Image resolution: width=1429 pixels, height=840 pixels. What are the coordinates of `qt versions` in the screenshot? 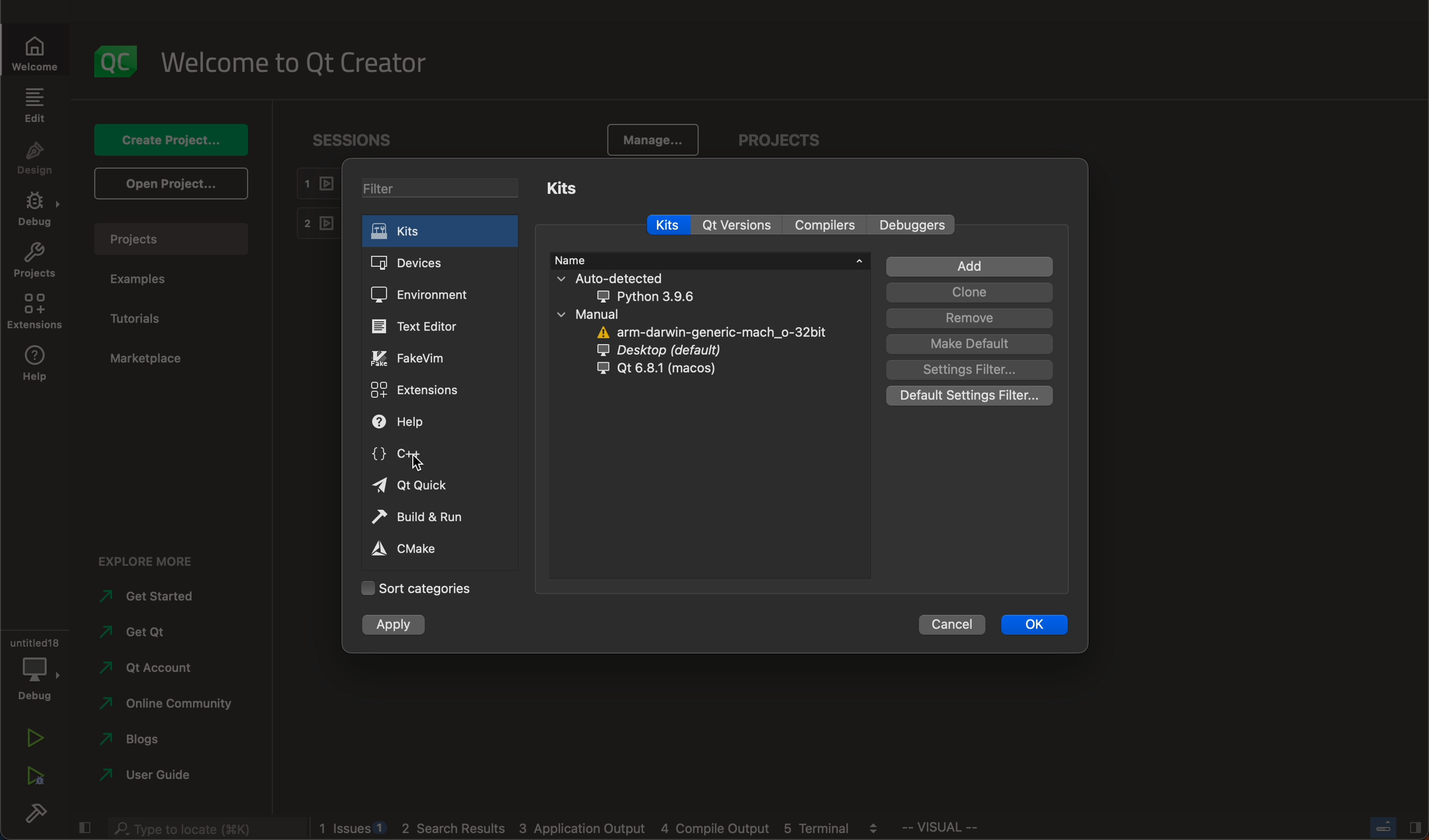 It's located at (742, 227).